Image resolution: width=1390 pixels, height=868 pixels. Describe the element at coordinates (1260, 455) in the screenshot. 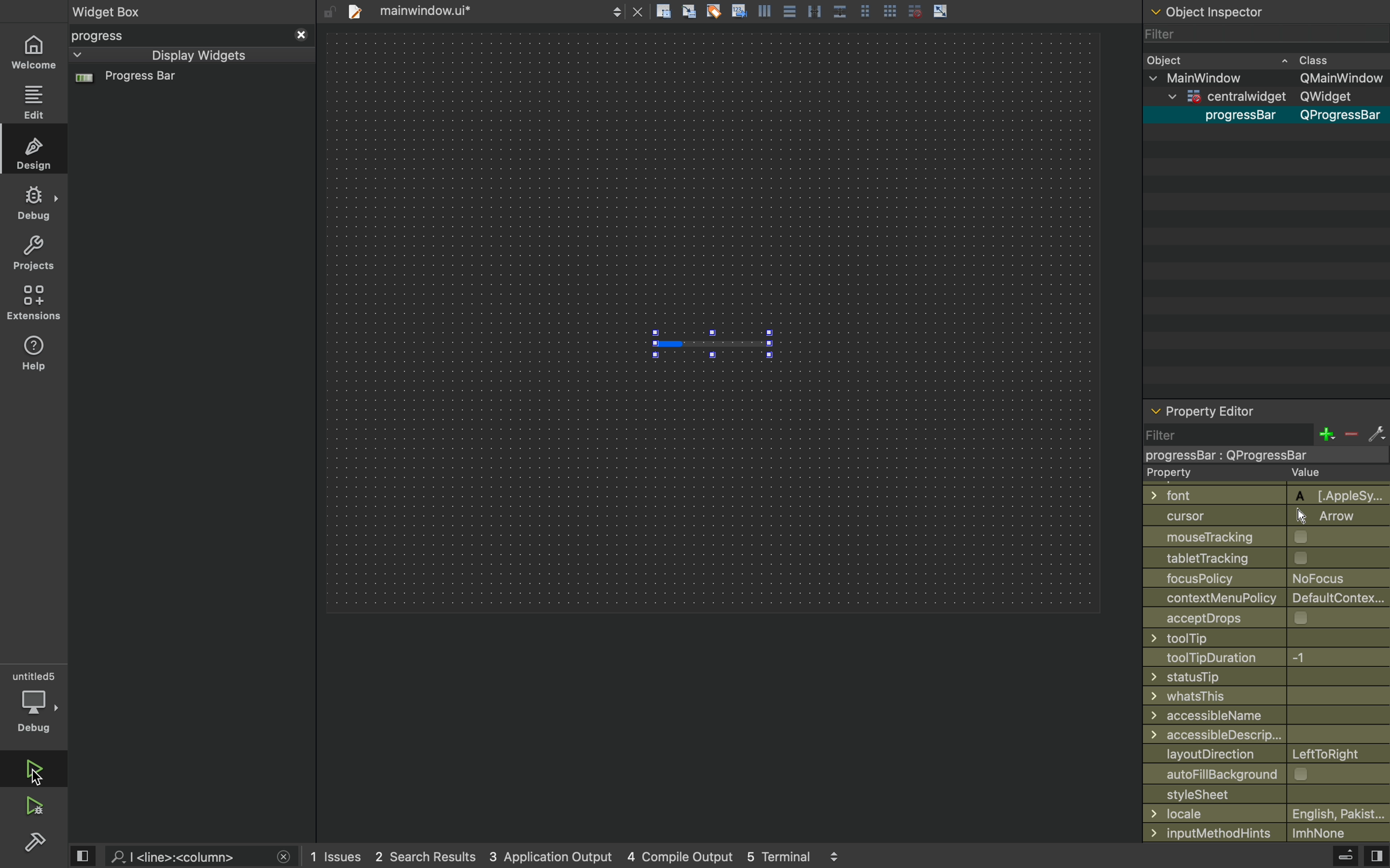

I see `centrawidget` at that location.